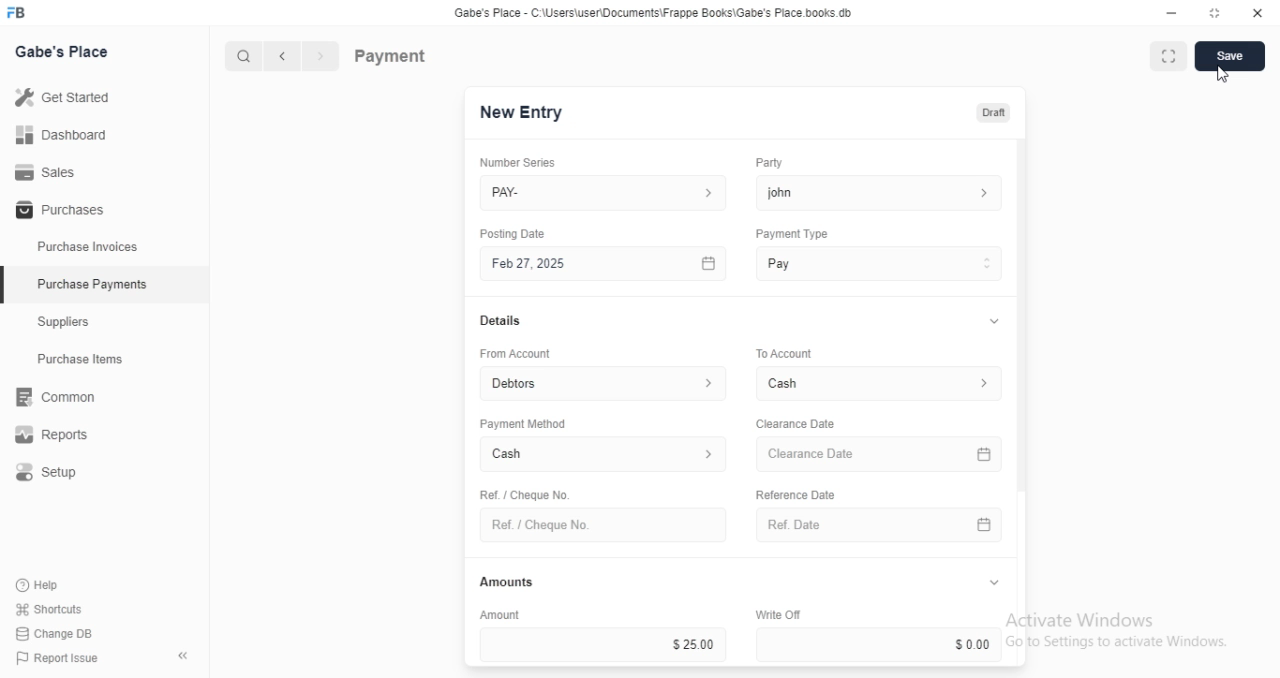 The height and width of the screenshot is (678, 1280). What do you see at coordinates (514, 233) in the screenshot?
I see `Posting Date` at bounding box center [514, 233].